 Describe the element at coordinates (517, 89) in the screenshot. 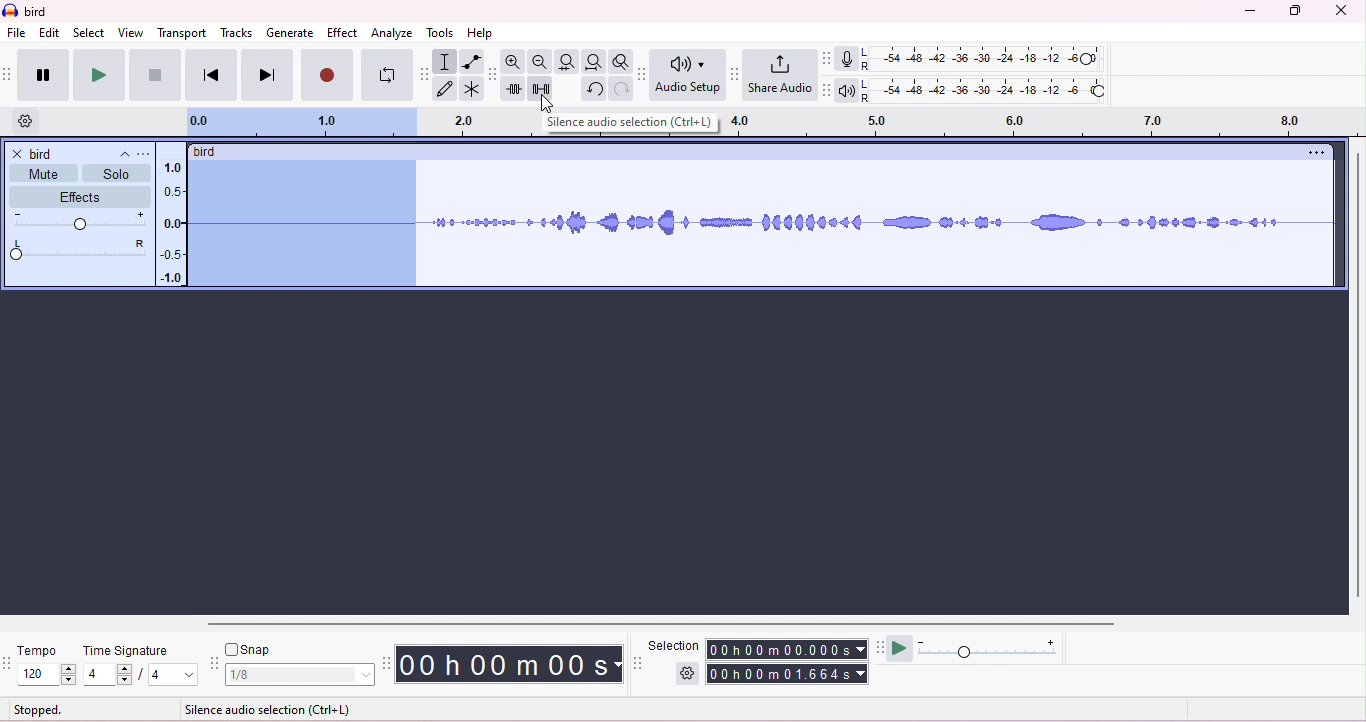

I see `trim outside selection` at that location.